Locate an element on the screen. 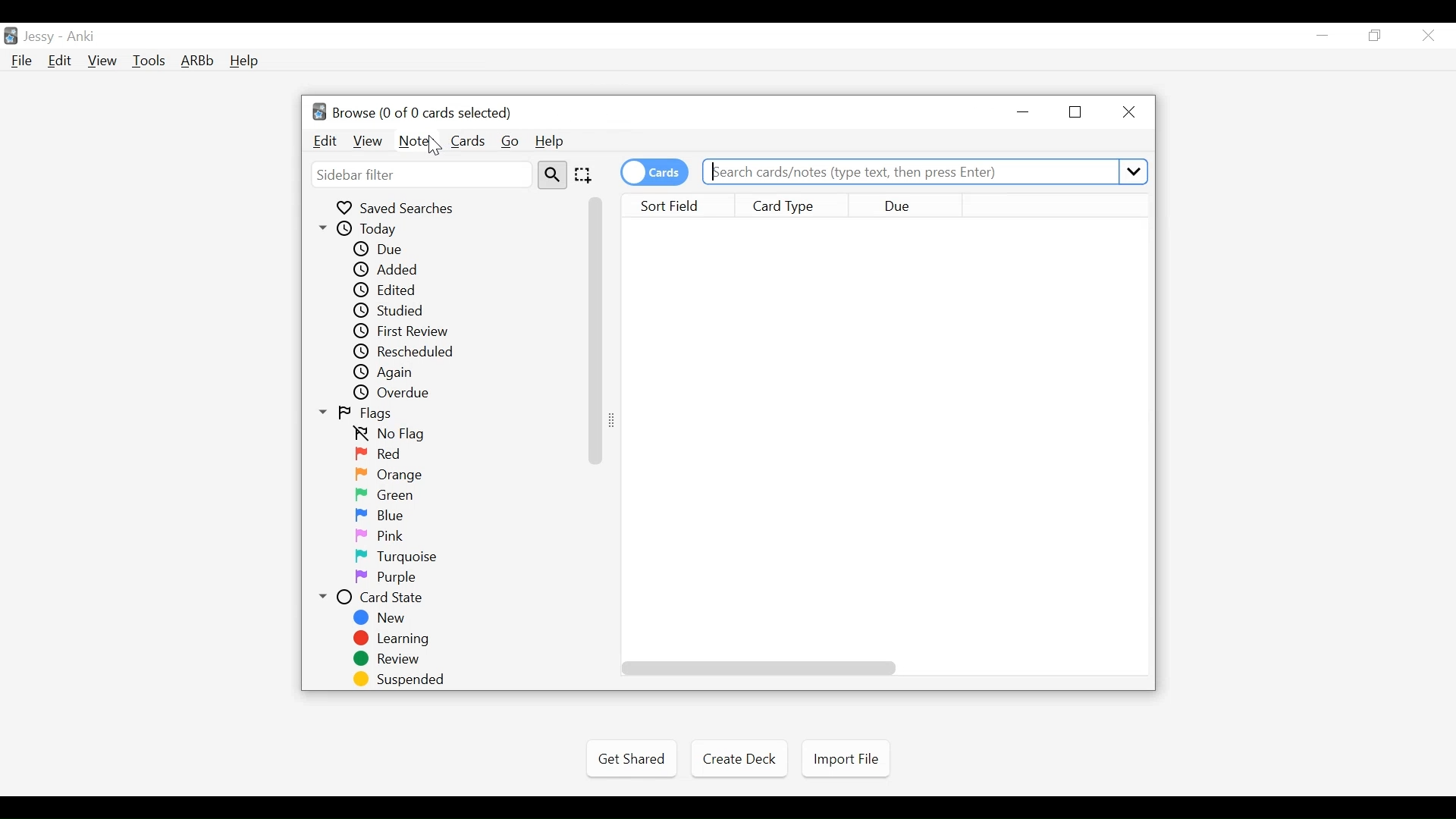 This screenshot has width=1456, height=819. Today is located at coordinates (366, 228).